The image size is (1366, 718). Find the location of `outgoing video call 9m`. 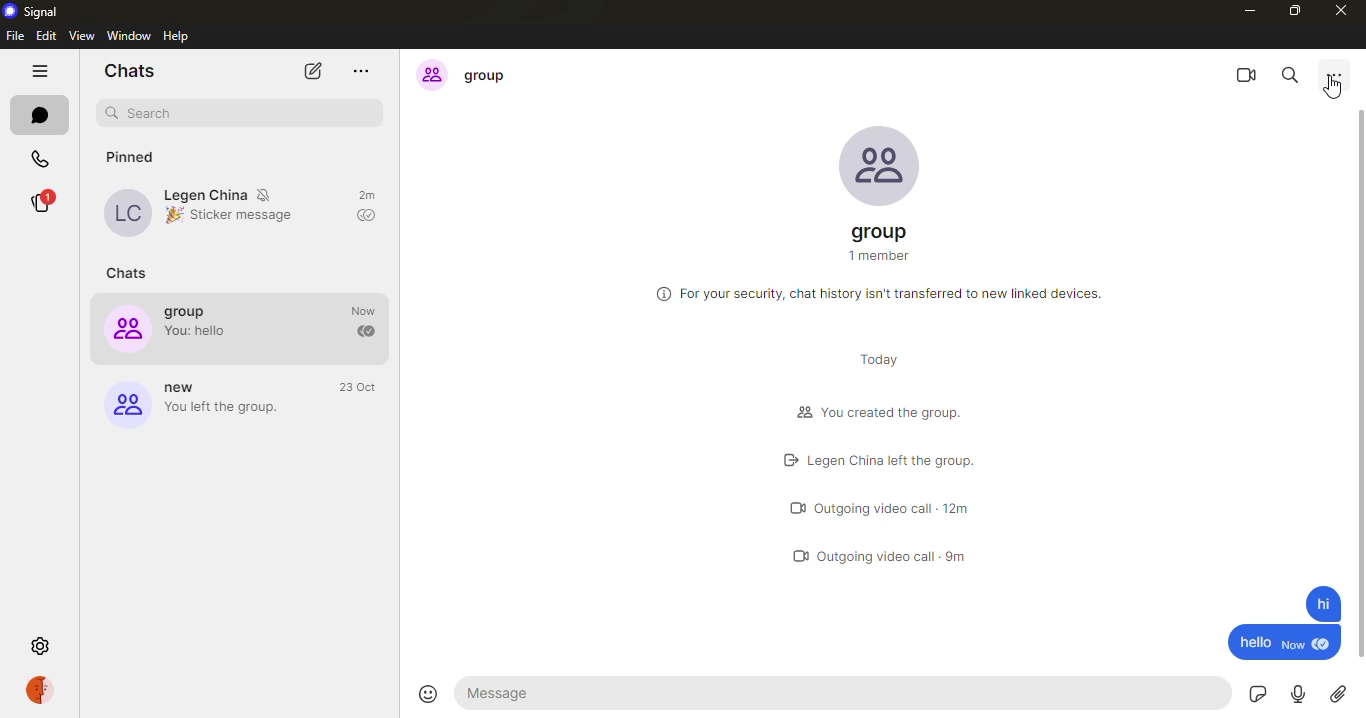

outgoing video call 9m is located at coordinates (898, 553).